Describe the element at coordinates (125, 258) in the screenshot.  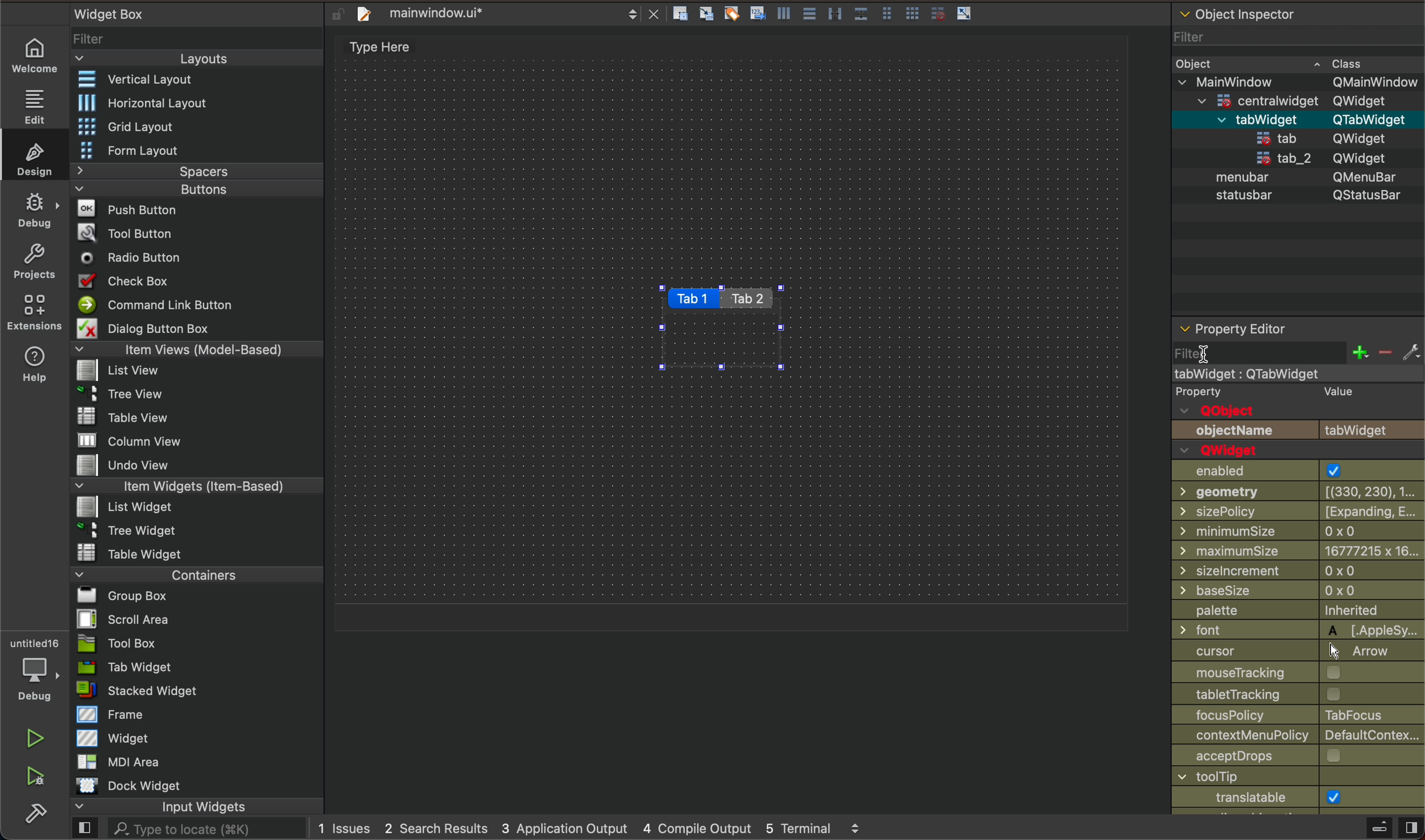
I see ` Radio Button` at that location.